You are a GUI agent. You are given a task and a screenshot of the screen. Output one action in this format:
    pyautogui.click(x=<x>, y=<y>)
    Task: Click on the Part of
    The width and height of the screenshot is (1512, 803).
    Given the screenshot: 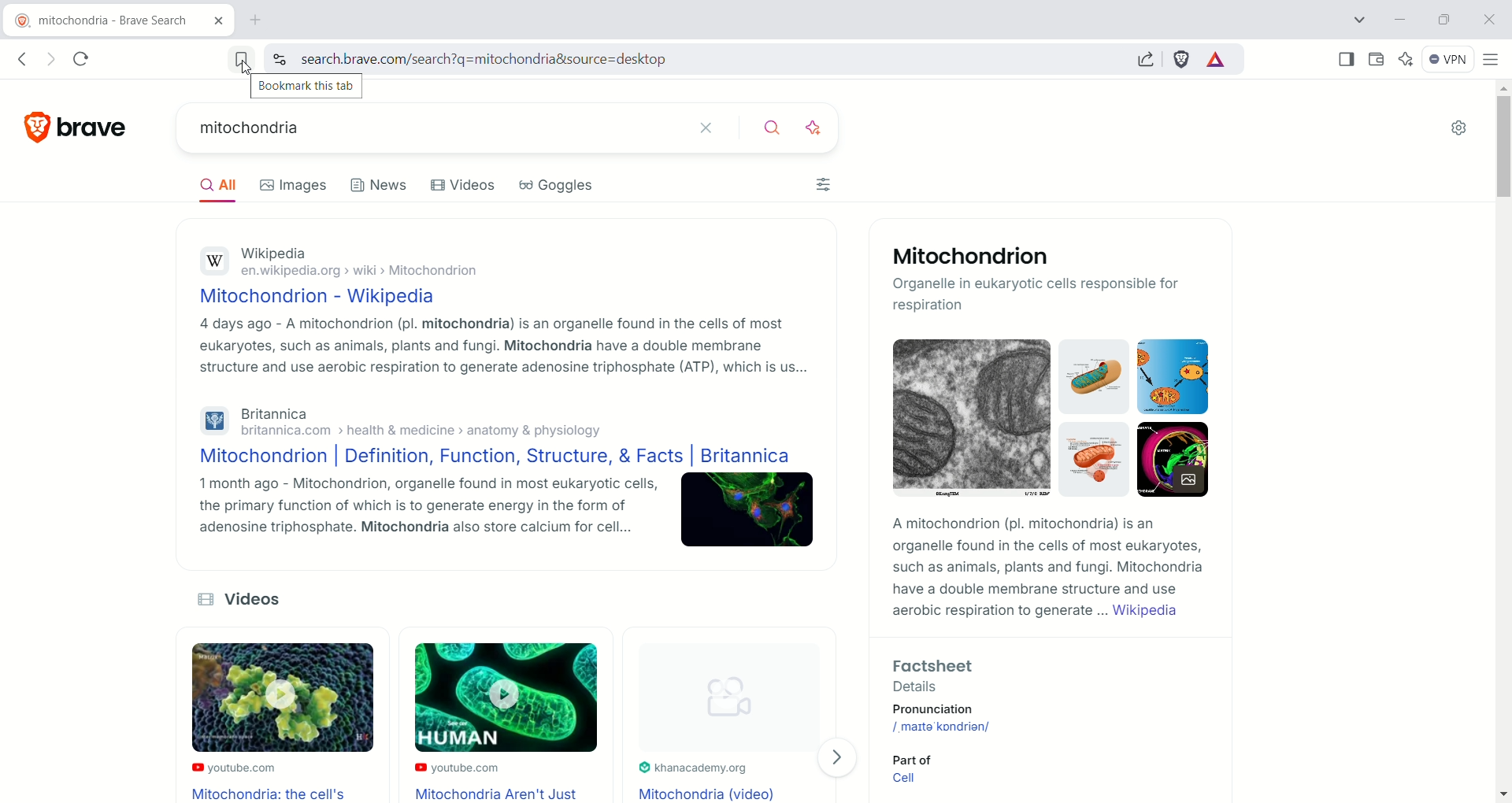 What is the action you would take?
    pyautogui.click(x=909, y=758)
    